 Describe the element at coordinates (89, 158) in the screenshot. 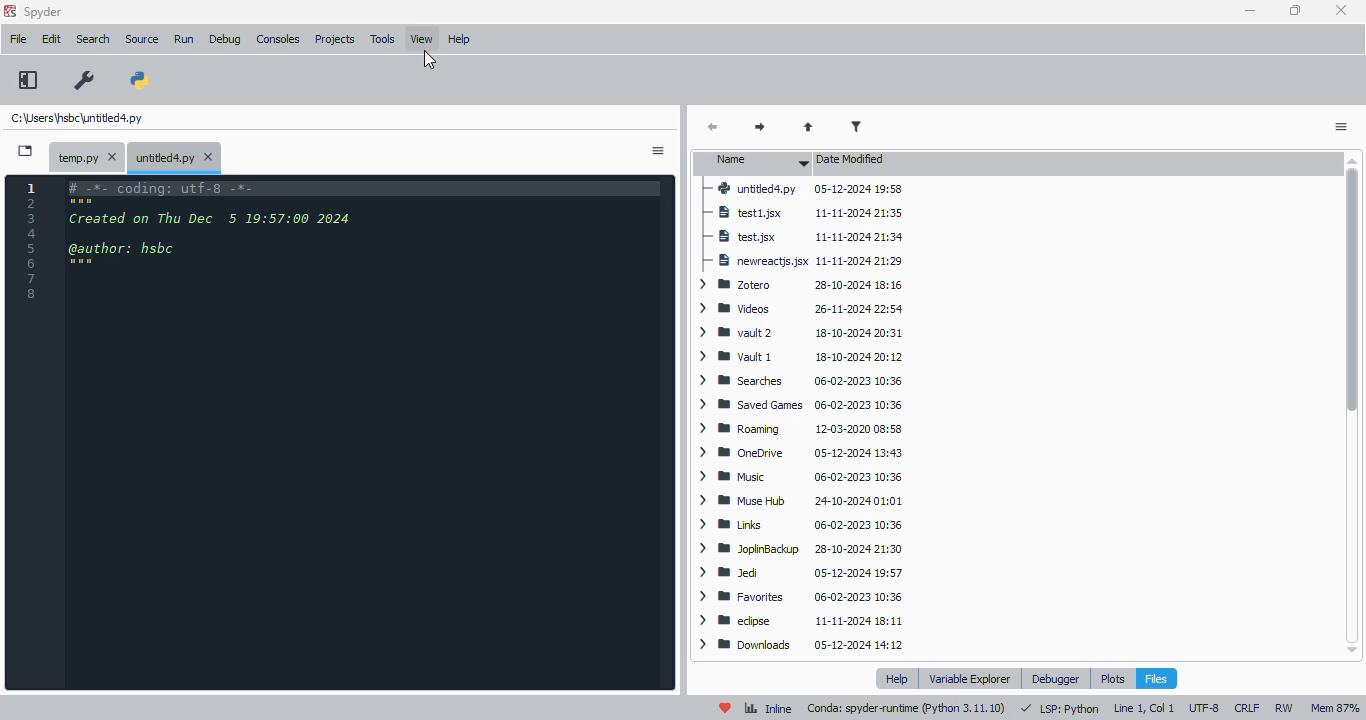

I see `temporary file` at that location.